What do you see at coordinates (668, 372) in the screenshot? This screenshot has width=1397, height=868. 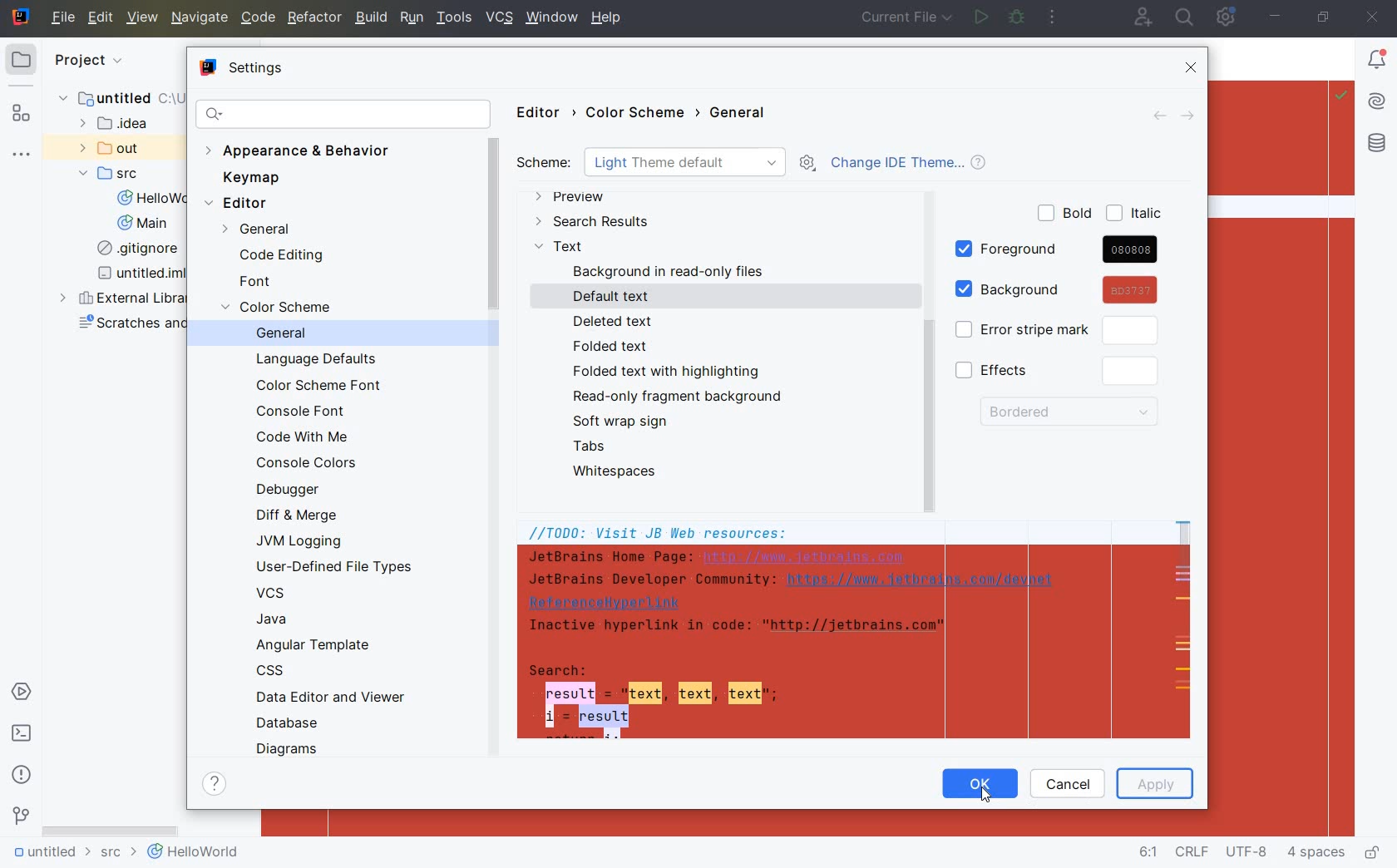 I see `FOLDED TEXT WITH HIGHLIGHTING` at bounding box center [668, 372].